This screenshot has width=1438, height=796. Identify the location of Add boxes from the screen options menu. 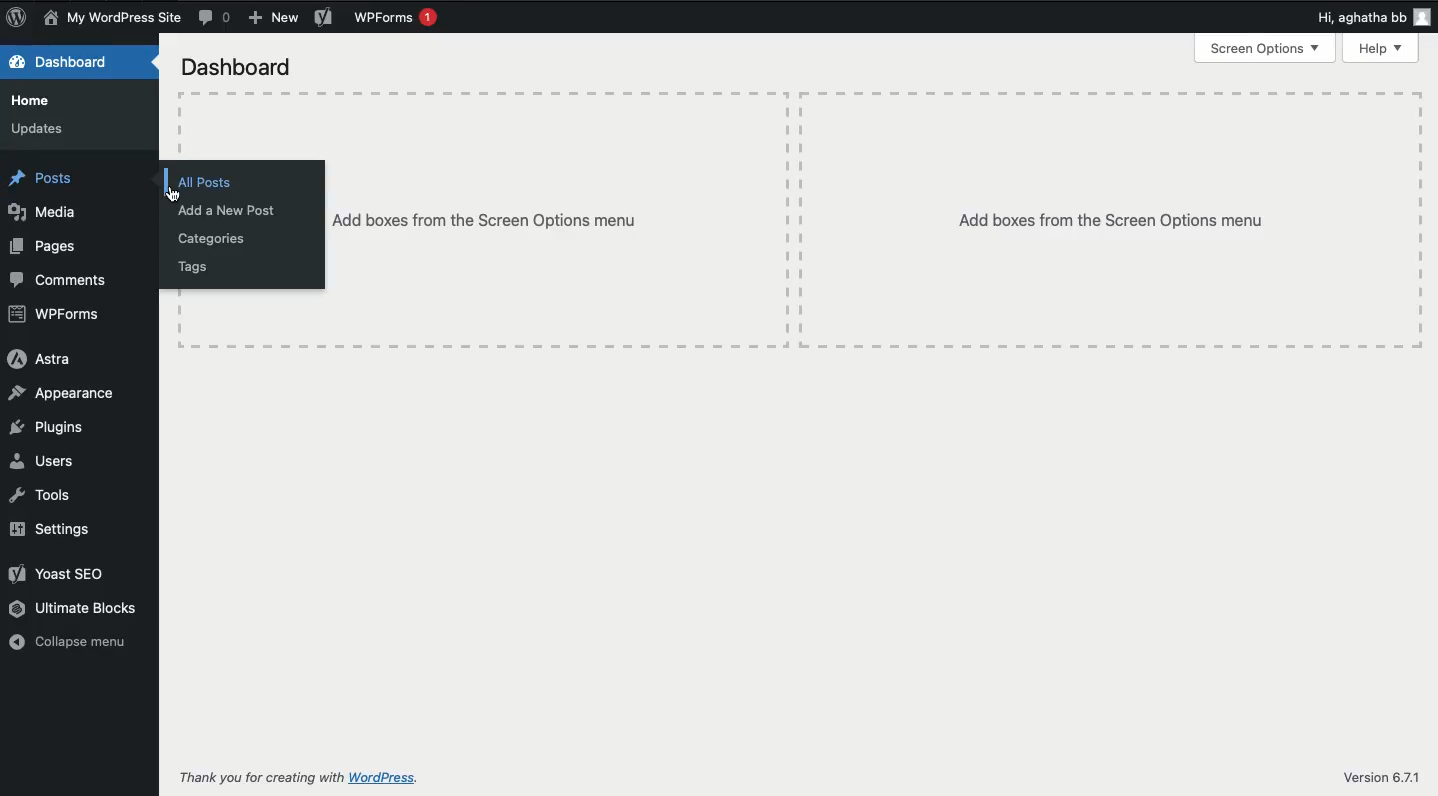
(1112, 220).